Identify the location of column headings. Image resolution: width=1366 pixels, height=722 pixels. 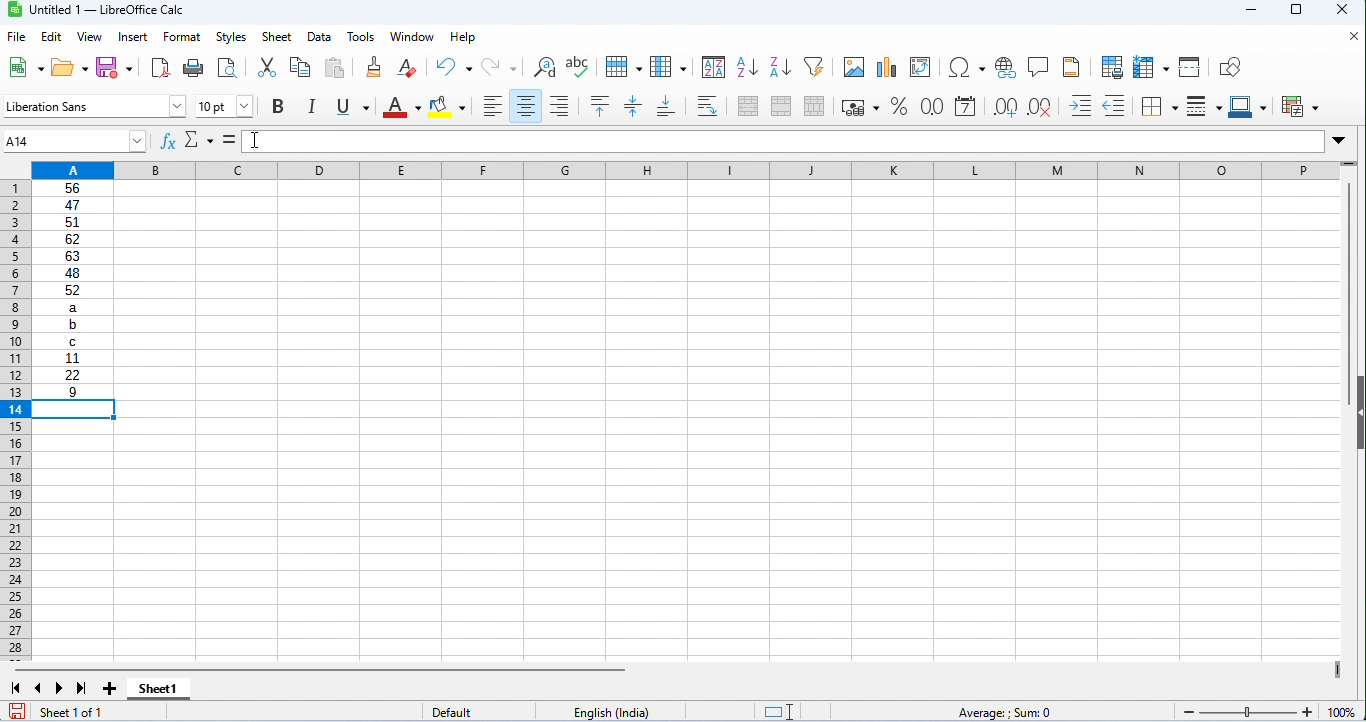
(685, 171).